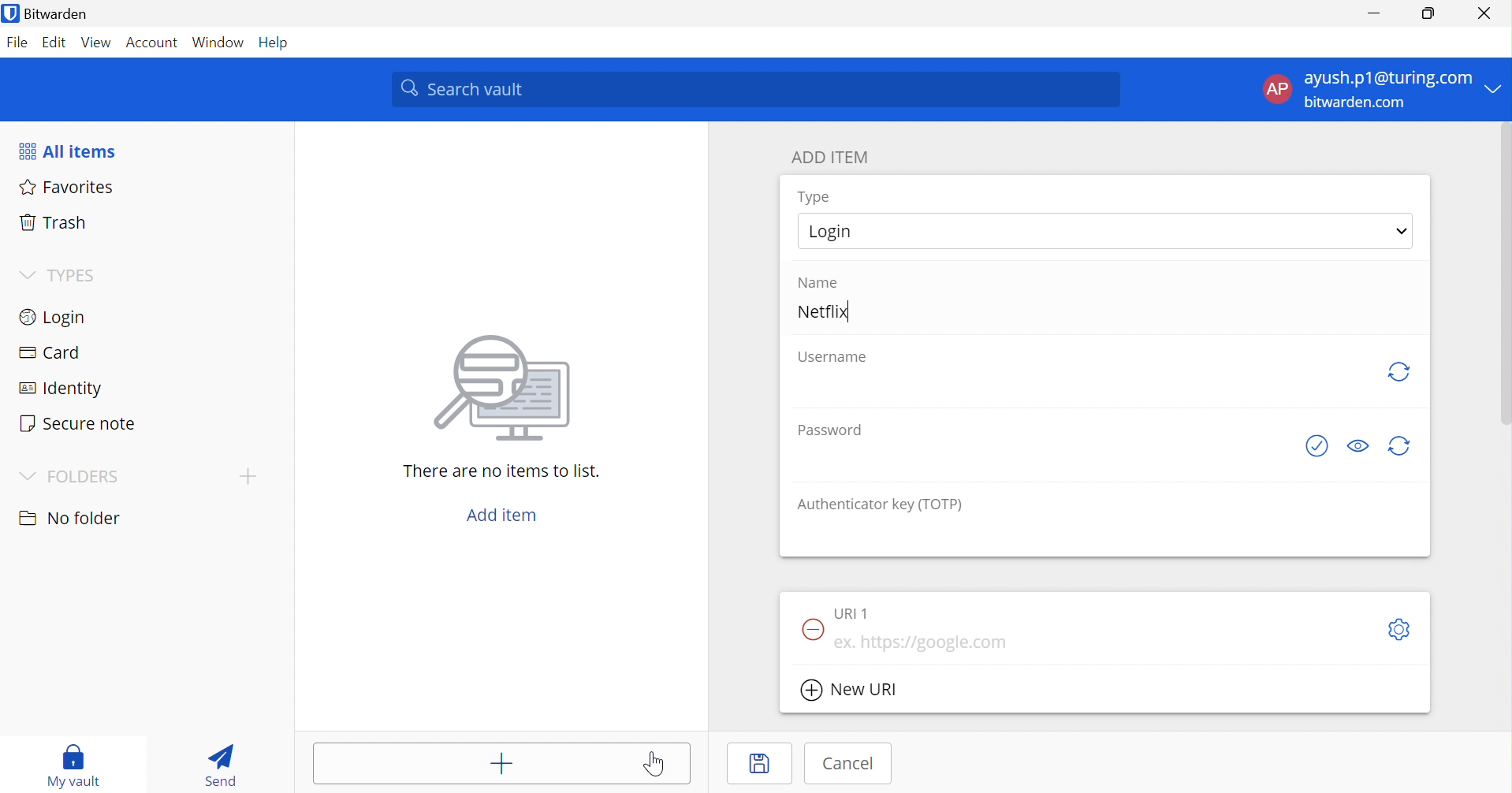 This screenshot has height=793, width=1512. What do you see at coordinates (1402, 374) in the screenshot?
I see `Refresh` at bounding box center [1402, 374].